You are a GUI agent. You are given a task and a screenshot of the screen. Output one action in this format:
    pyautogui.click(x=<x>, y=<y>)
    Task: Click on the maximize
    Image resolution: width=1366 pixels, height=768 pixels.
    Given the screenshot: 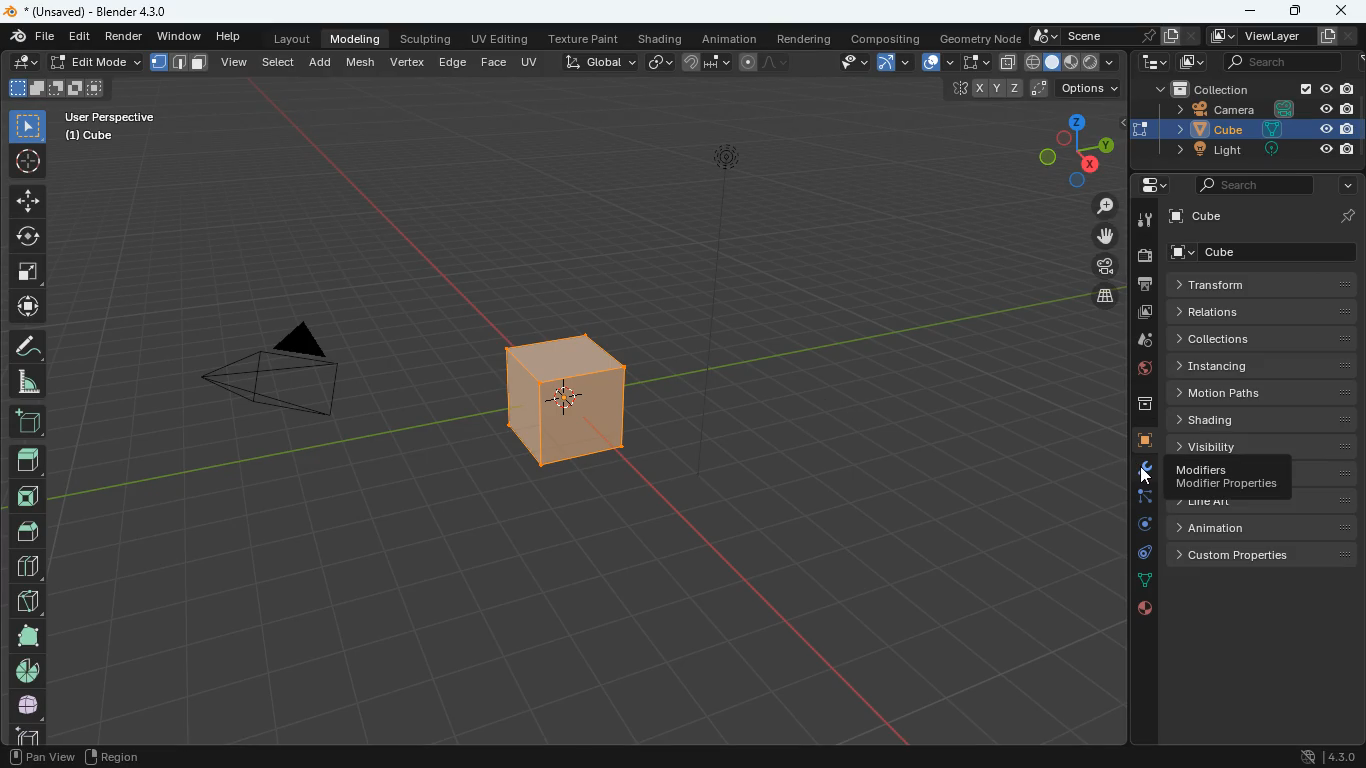 What is the action you would take?
    pyautogui.click(x=1298, y=11)
    